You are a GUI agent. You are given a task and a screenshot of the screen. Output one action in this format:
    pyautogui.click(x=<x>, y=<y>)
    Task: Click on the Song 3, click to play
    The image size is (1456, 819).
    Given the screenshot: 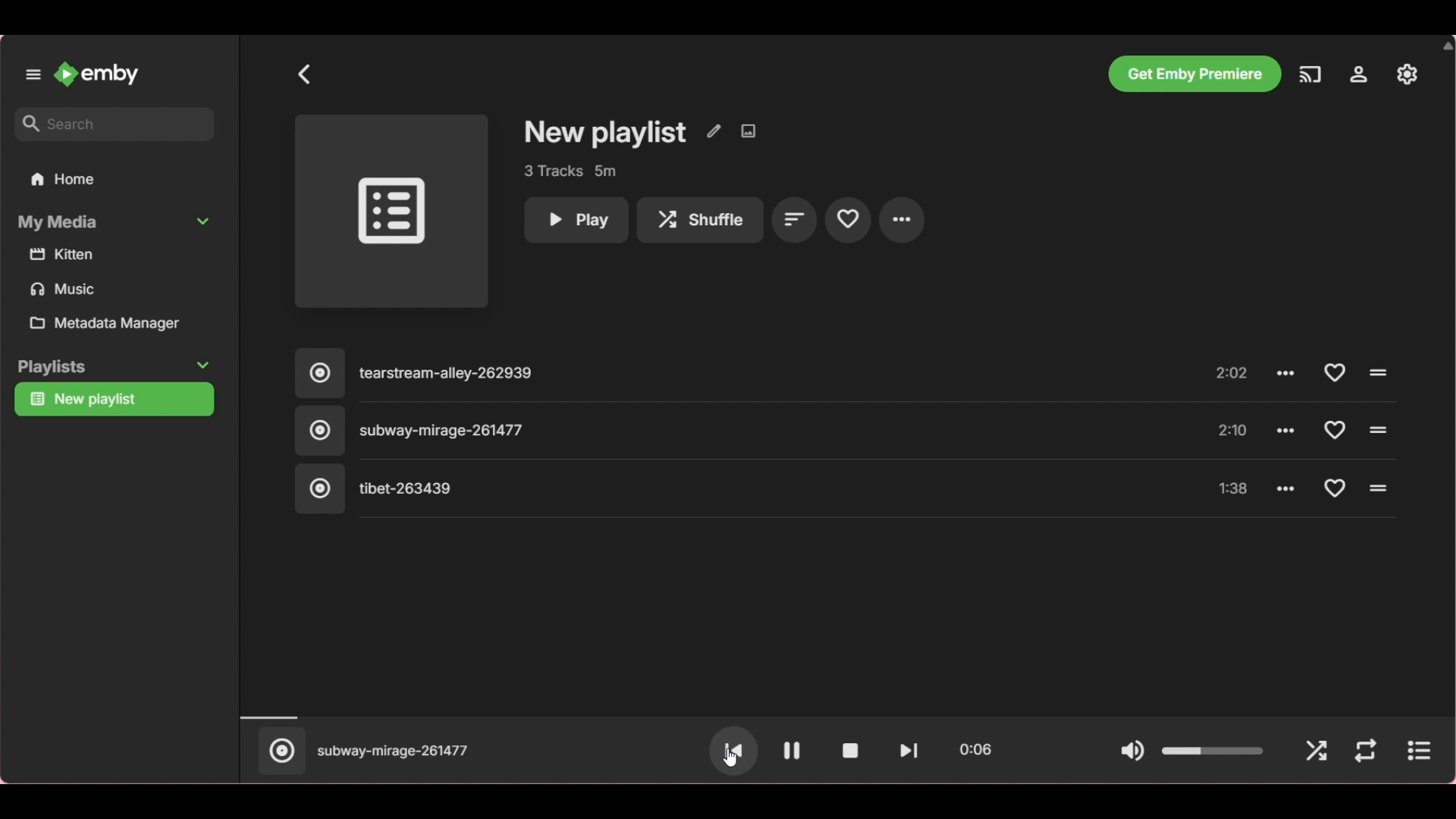 What is the action you would take?
    pyautogui.click(x=720, y=489)
    